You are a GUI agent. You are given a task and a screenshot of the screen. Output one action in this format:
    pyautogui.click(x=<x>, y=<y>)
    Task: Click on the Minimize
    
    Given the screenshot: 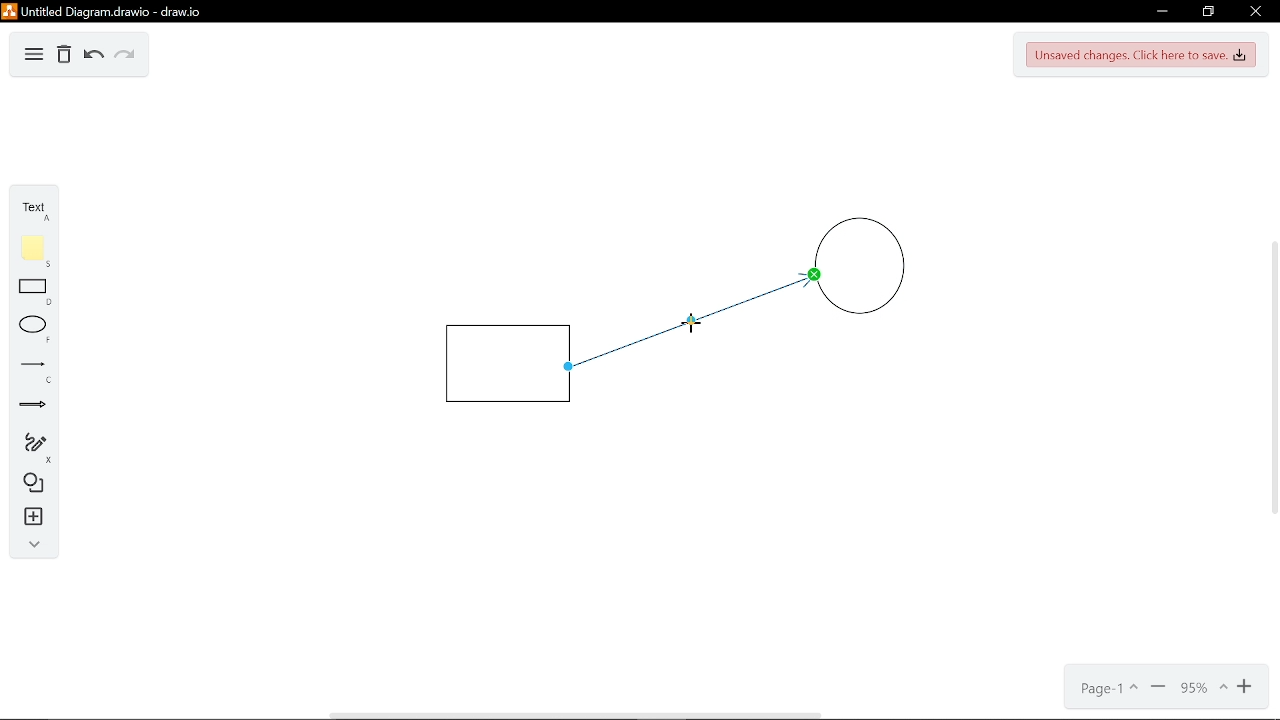 What is the action you would take?
    pyautogui.click(x=1162, y=11)
    